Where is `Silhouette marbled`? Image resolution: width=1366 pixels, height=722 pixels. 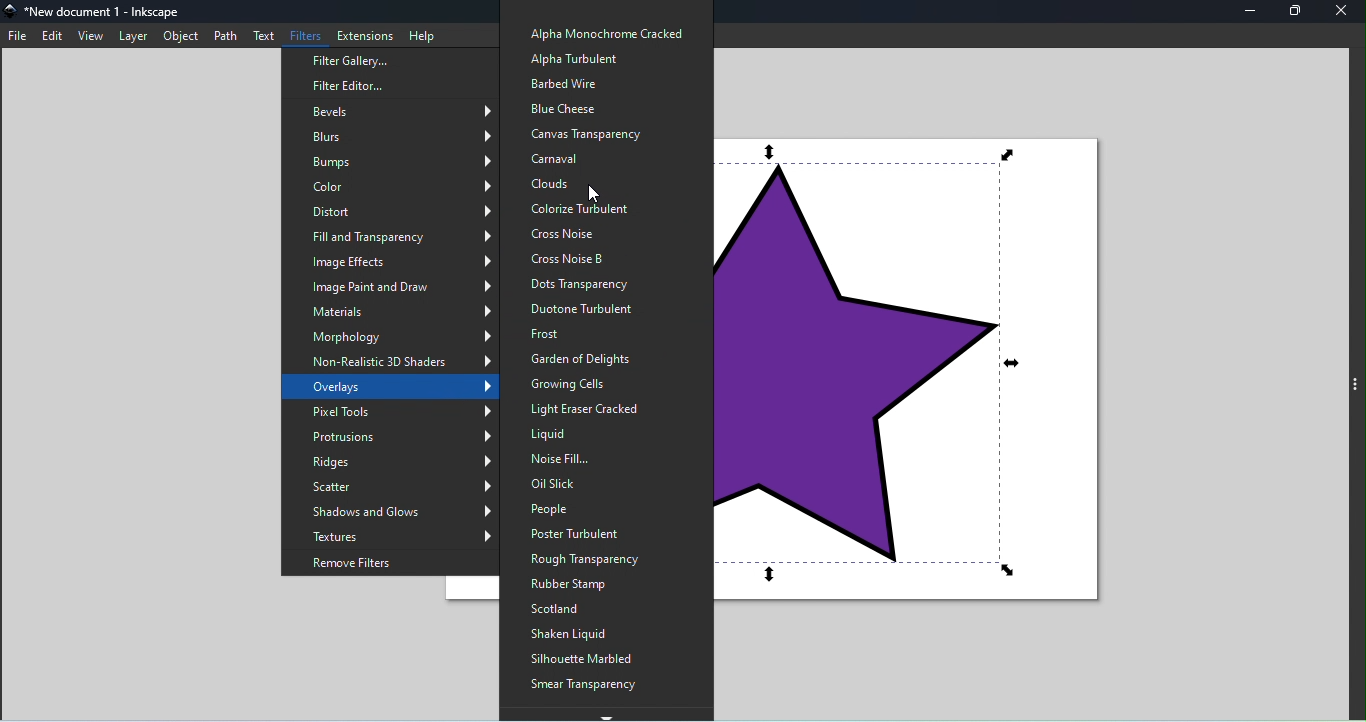 Silhouette marbled is located at coordinates (590, 659).